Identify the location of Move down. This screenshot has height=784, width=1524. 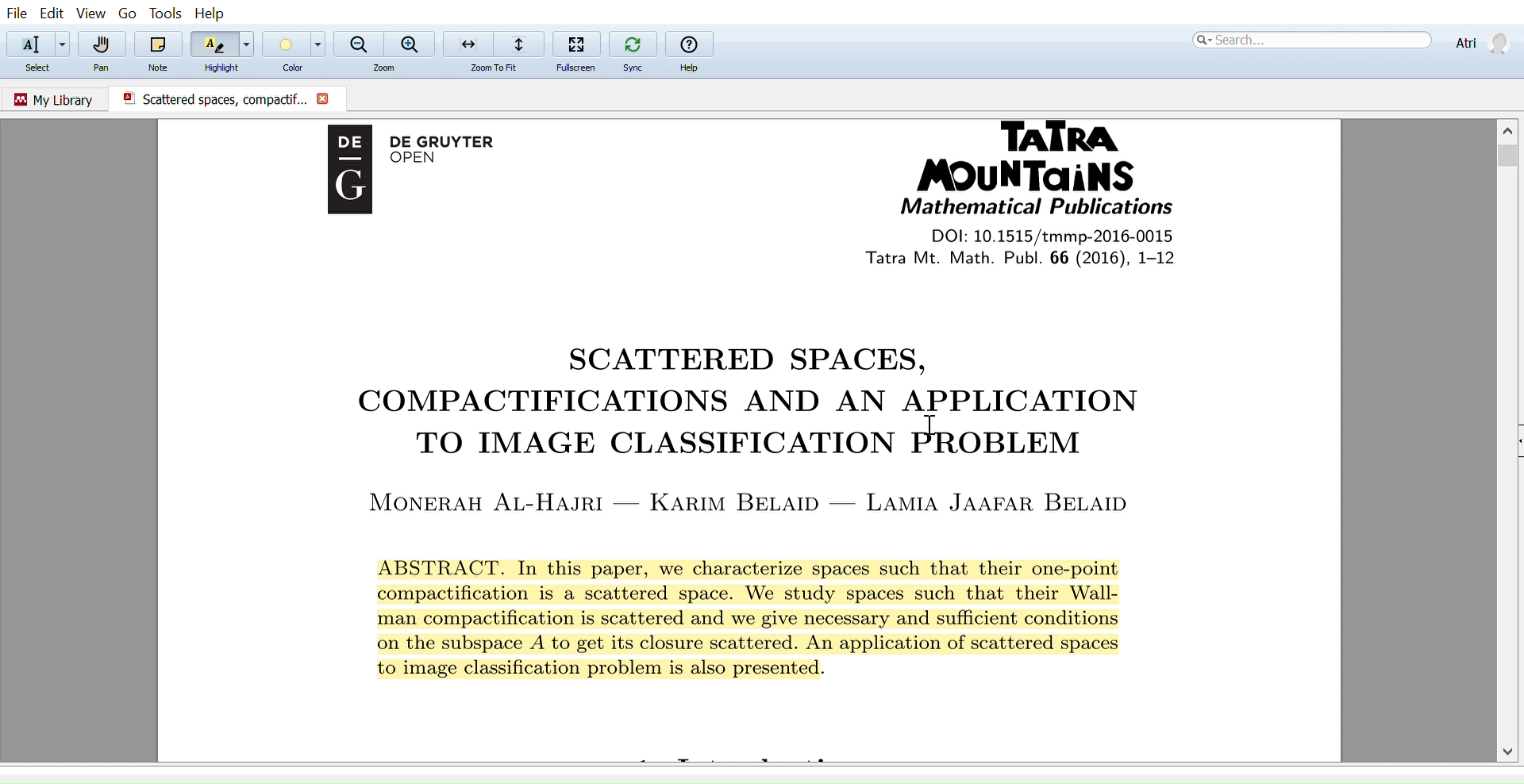
(1510, 751).